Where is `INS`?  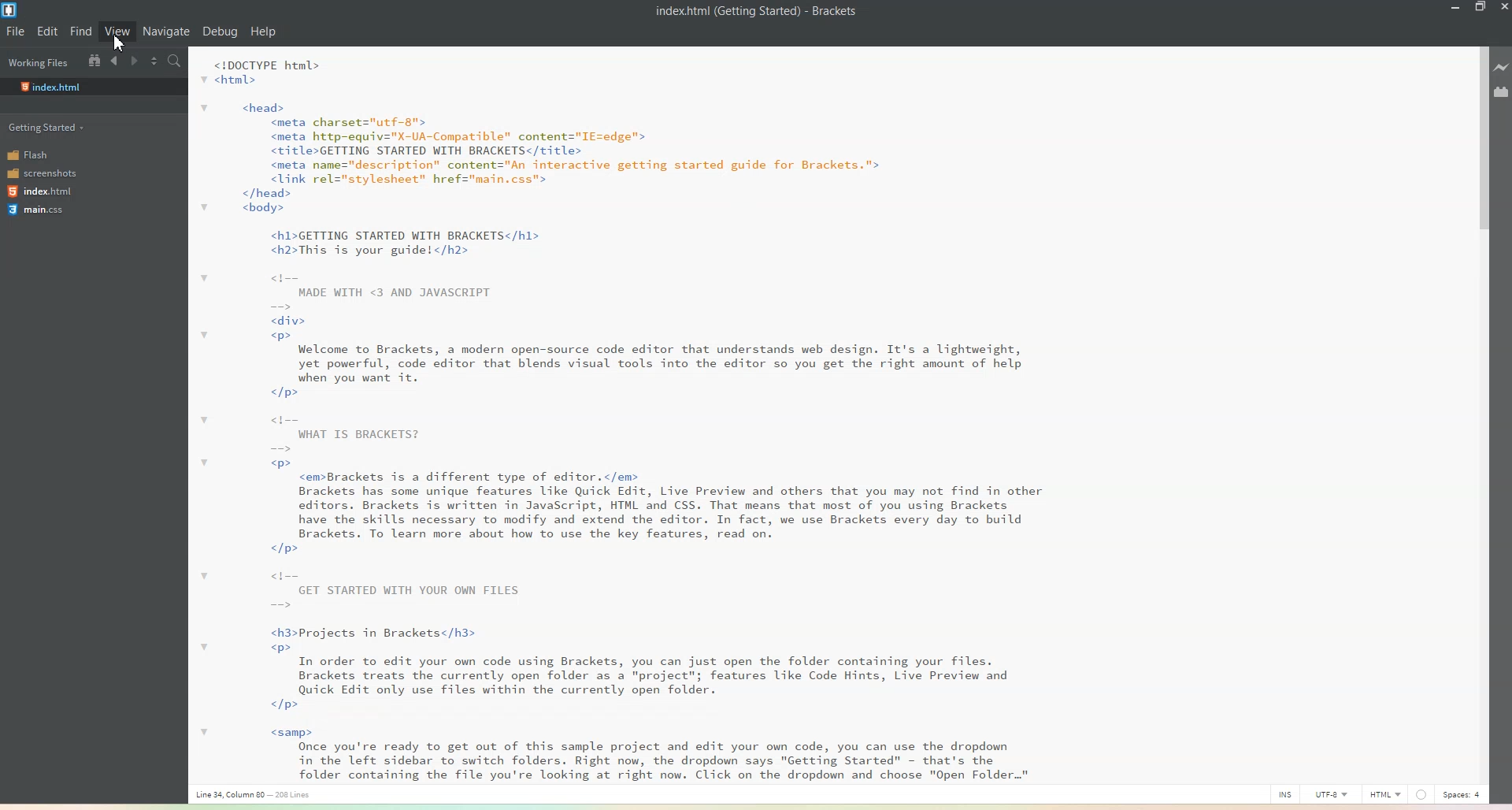
INS is located at coordinates (1285, 793).